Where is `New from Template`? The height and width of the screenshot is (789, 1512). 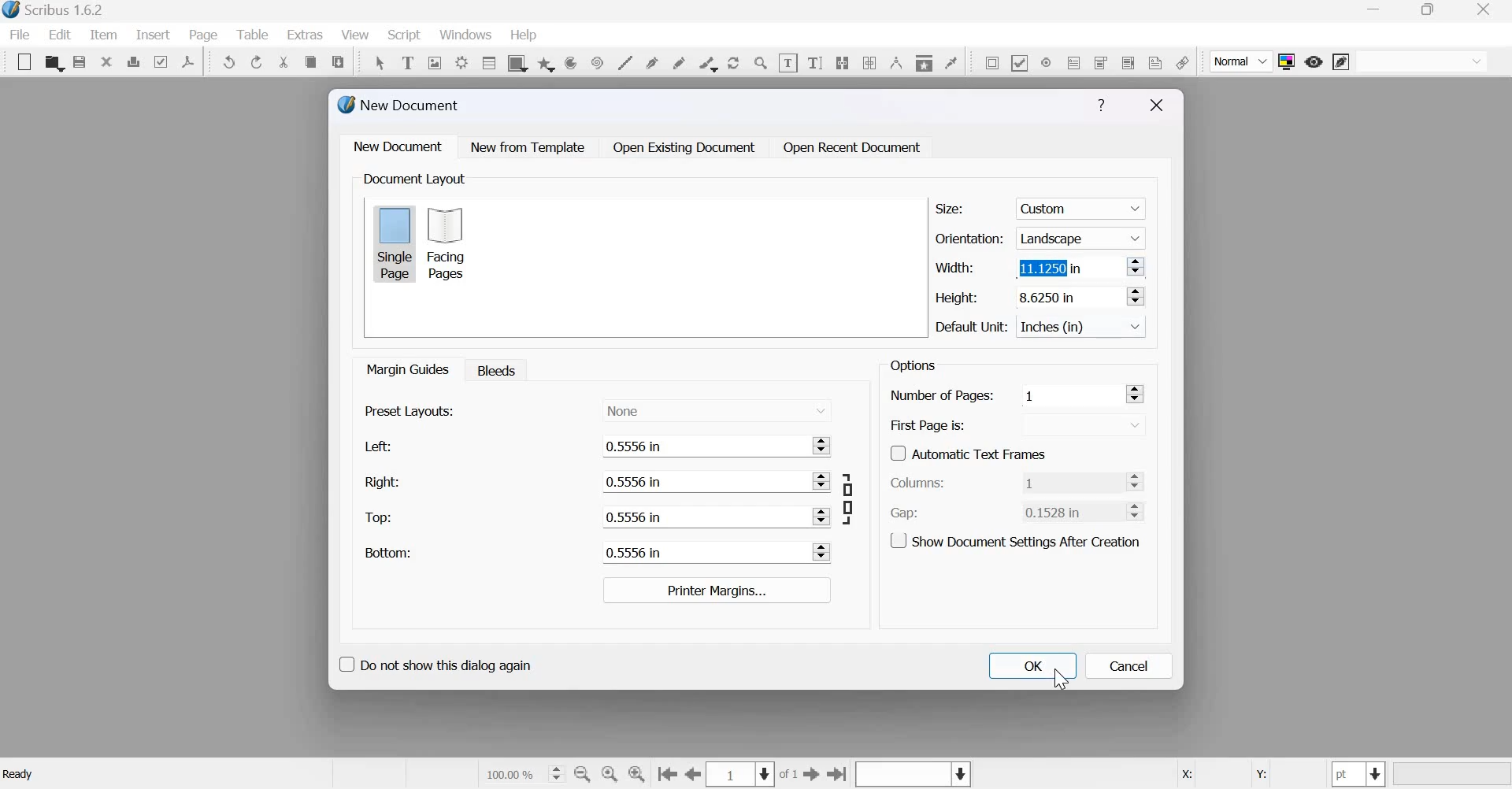
New from Template is located at coordinates (531, 146).